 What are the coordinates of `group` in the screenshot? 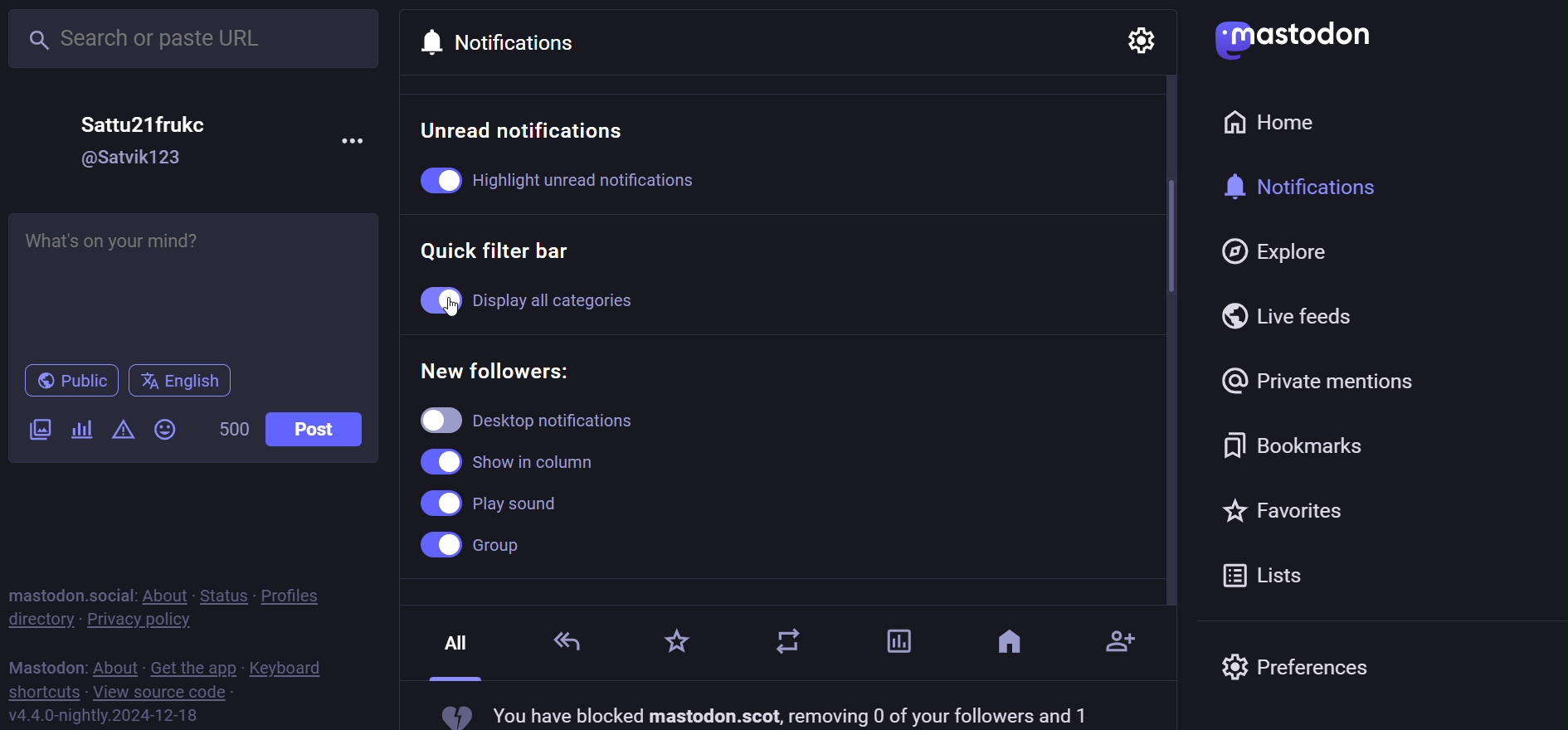 It's located at (482, 547).